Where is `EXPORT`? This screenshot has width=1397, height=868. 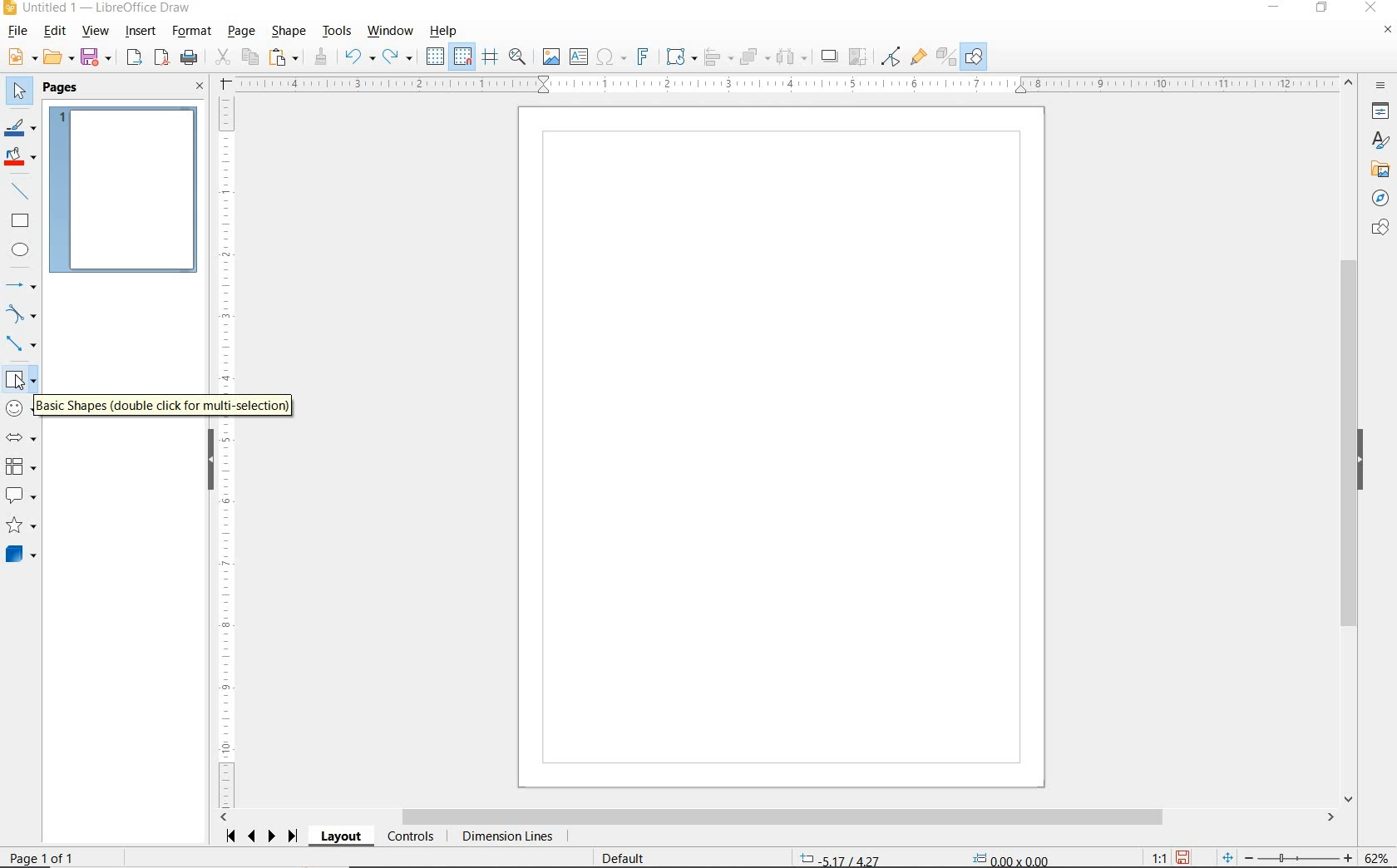
EXPORT is located at coordinates (135, 59).